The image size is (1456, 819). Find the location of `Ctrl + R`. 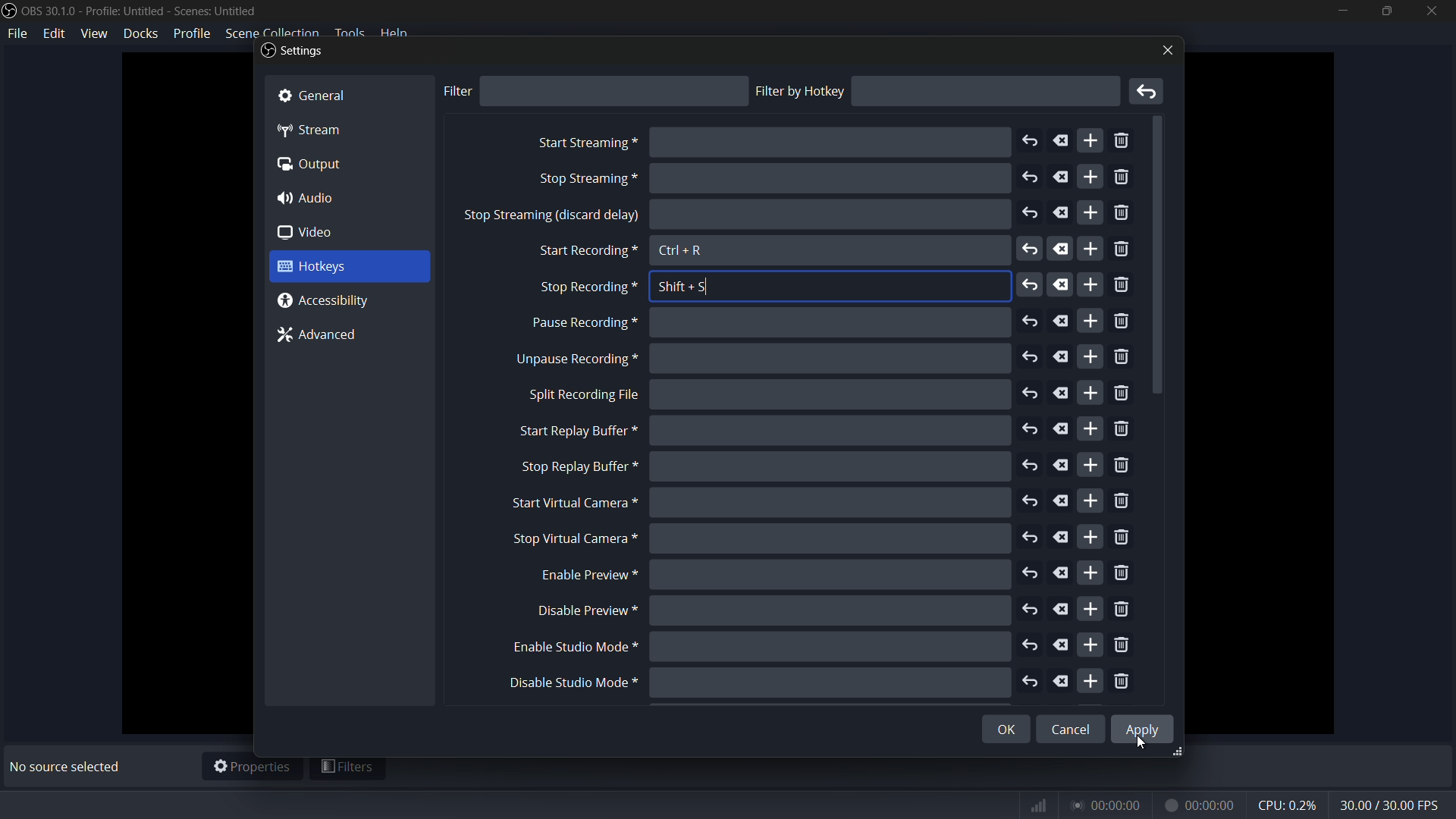

Ctrl + R is located at coordinates (682, 252).